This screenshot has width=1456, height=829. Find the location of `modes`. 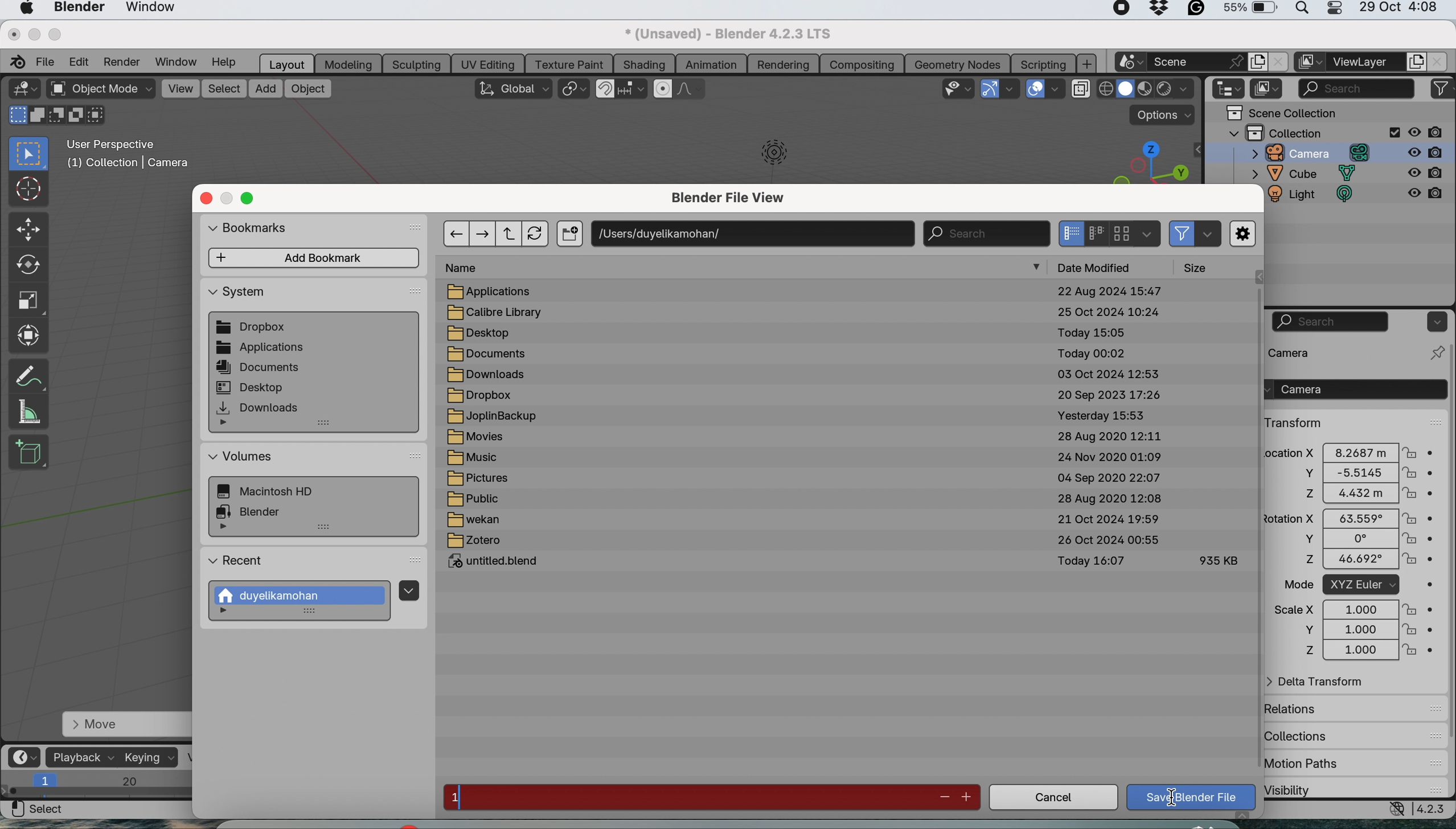

modes is located at coordinates (54, 116).